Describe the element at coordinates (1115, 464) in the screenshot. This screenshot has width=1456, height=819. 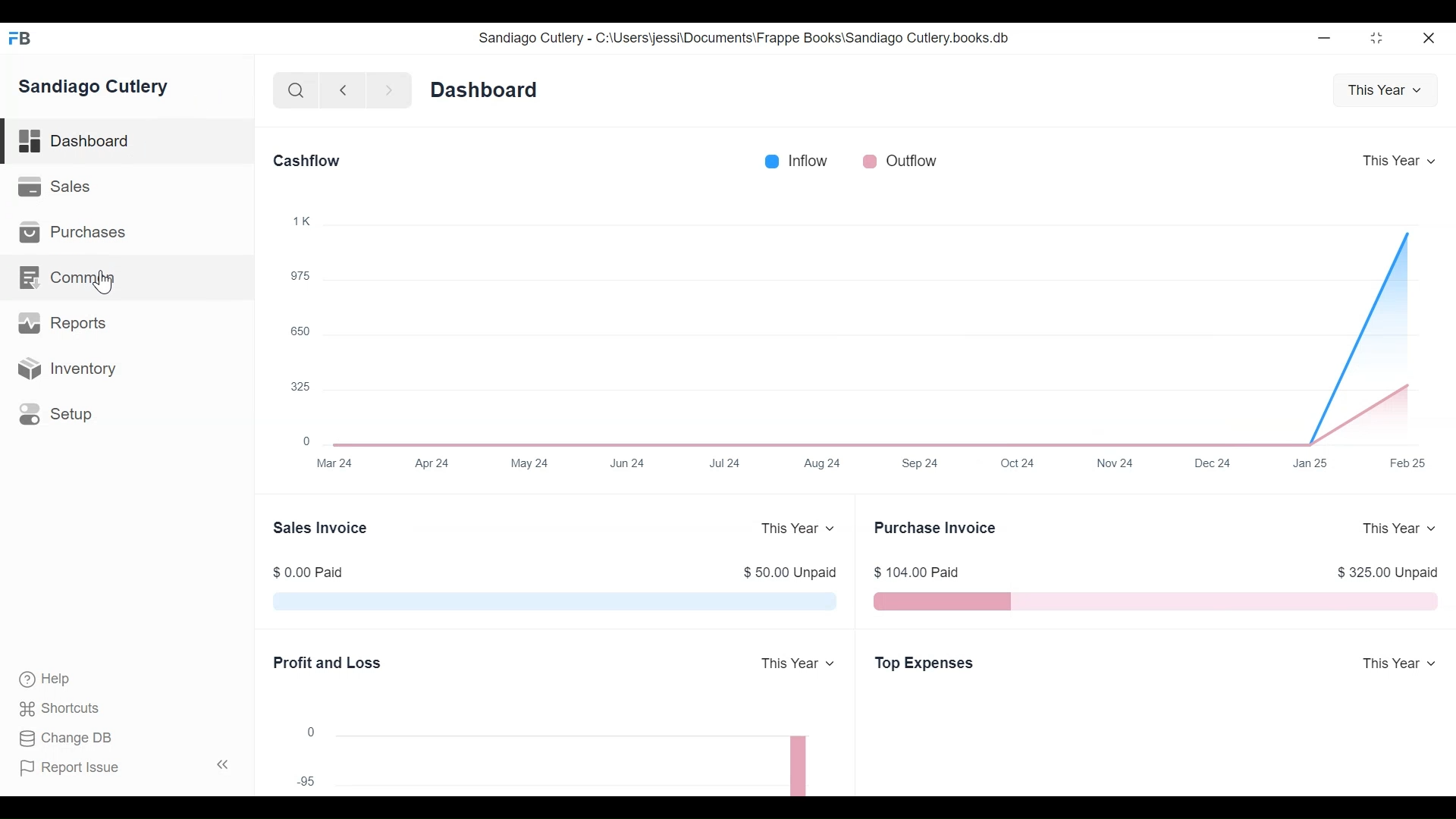
I see `Nov 24` at that location.